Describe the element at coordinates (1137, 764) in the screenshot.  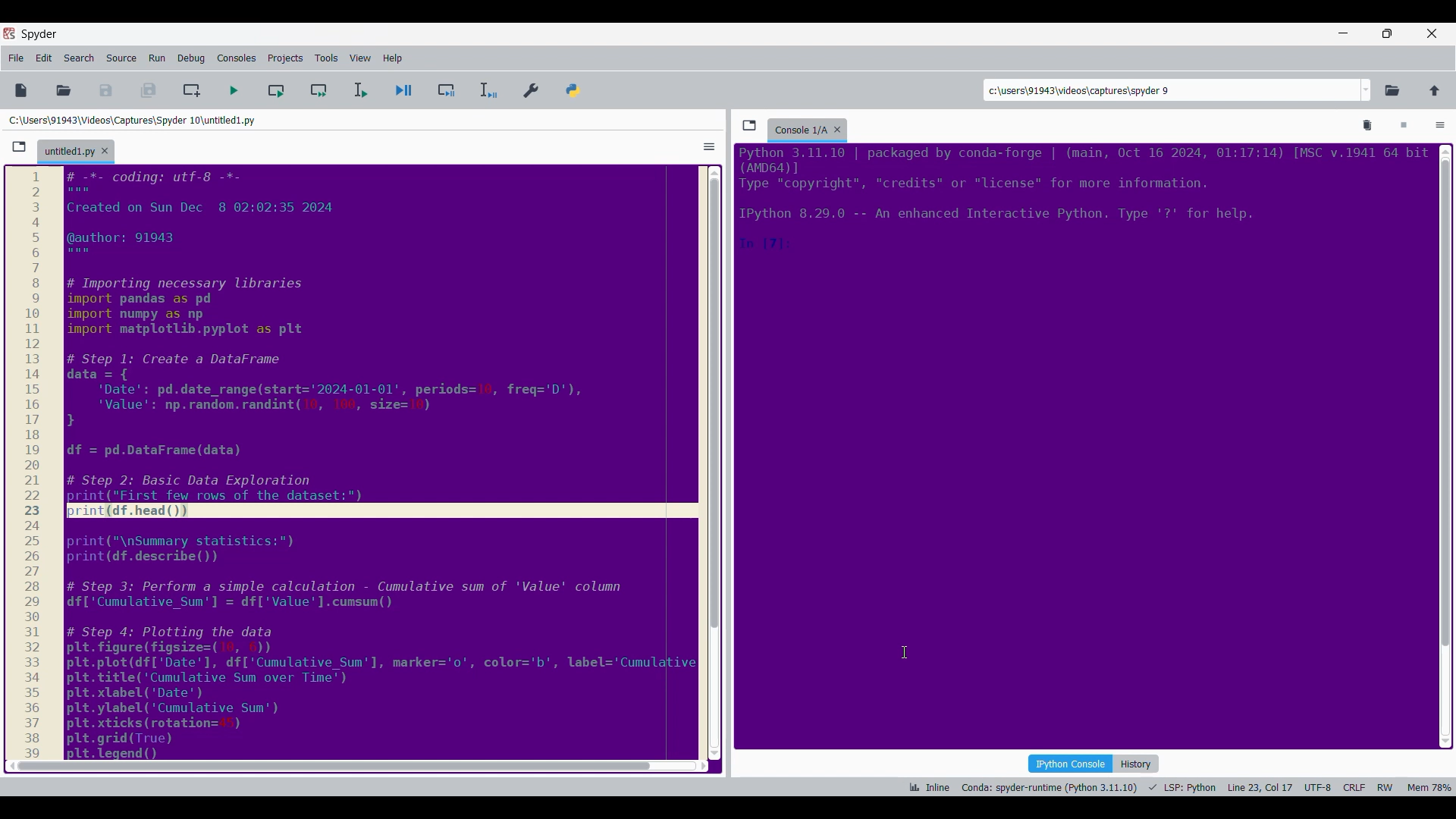
I see `History` at that location.